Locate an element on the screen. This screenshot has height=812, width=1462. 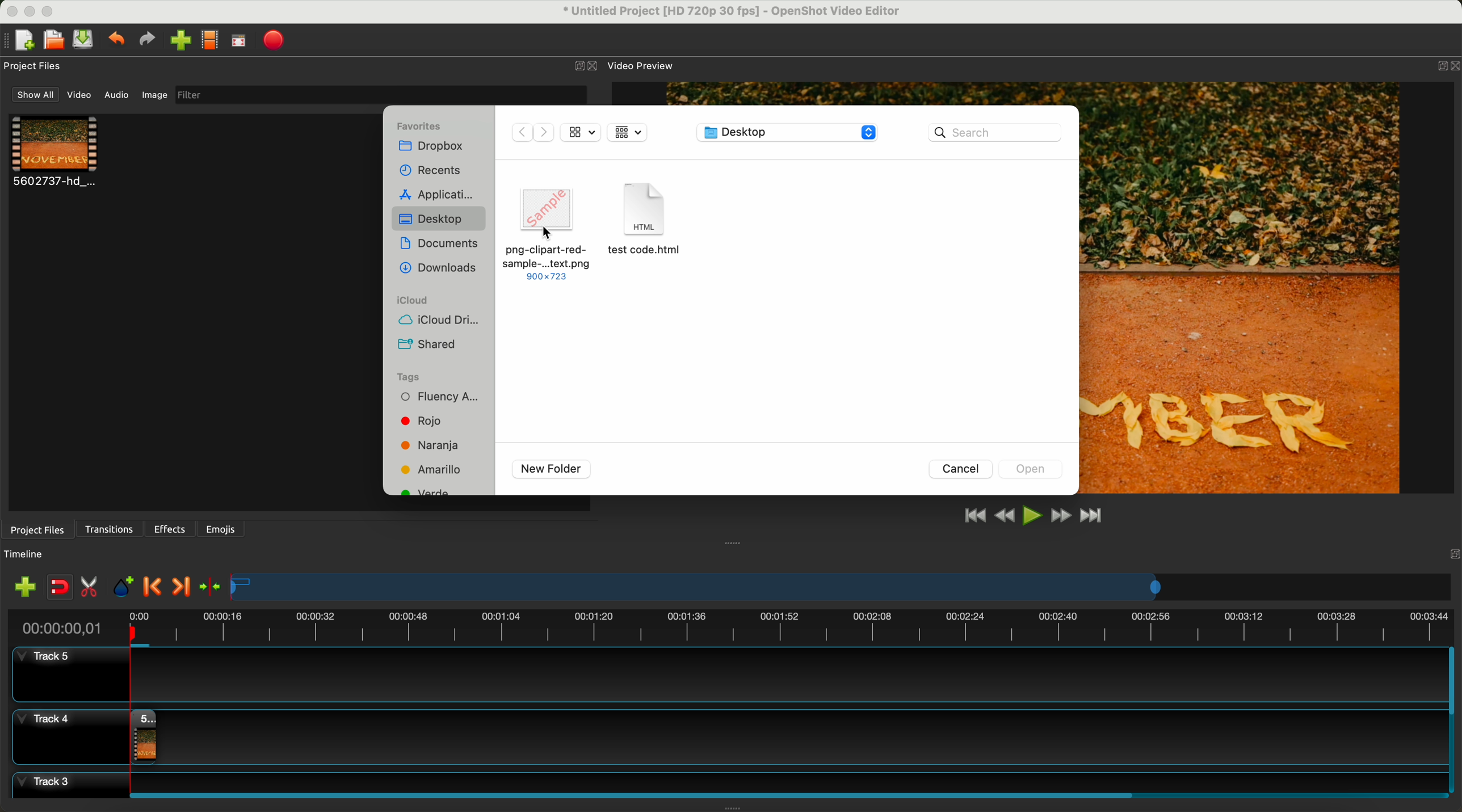
audio is located at coordinates (117, 94).